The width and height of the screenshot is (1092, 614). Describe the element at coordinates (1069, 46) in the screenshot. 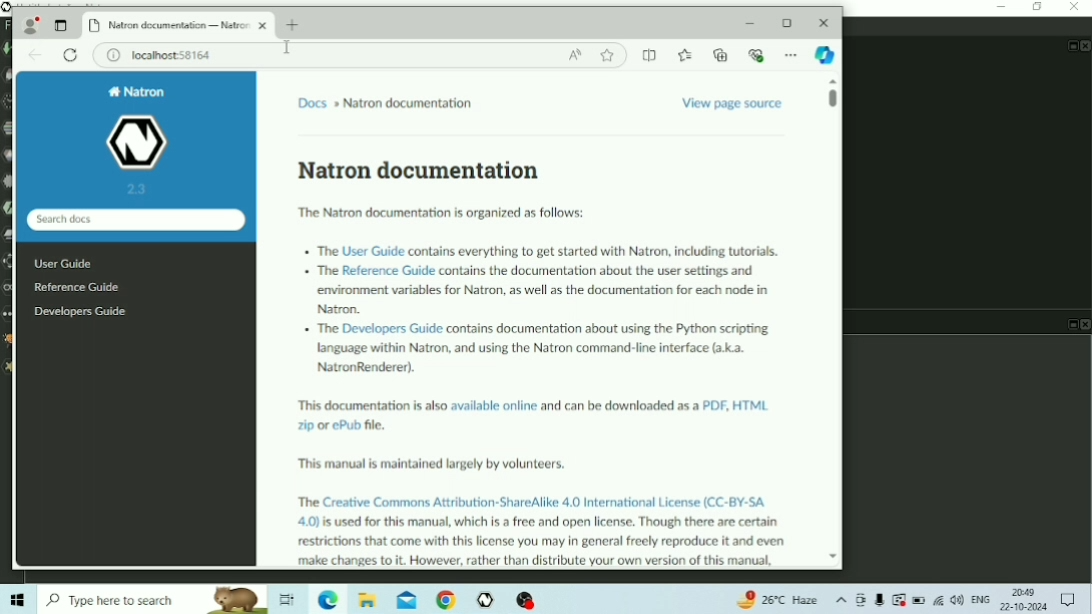

I see `Float Pane` at that location.